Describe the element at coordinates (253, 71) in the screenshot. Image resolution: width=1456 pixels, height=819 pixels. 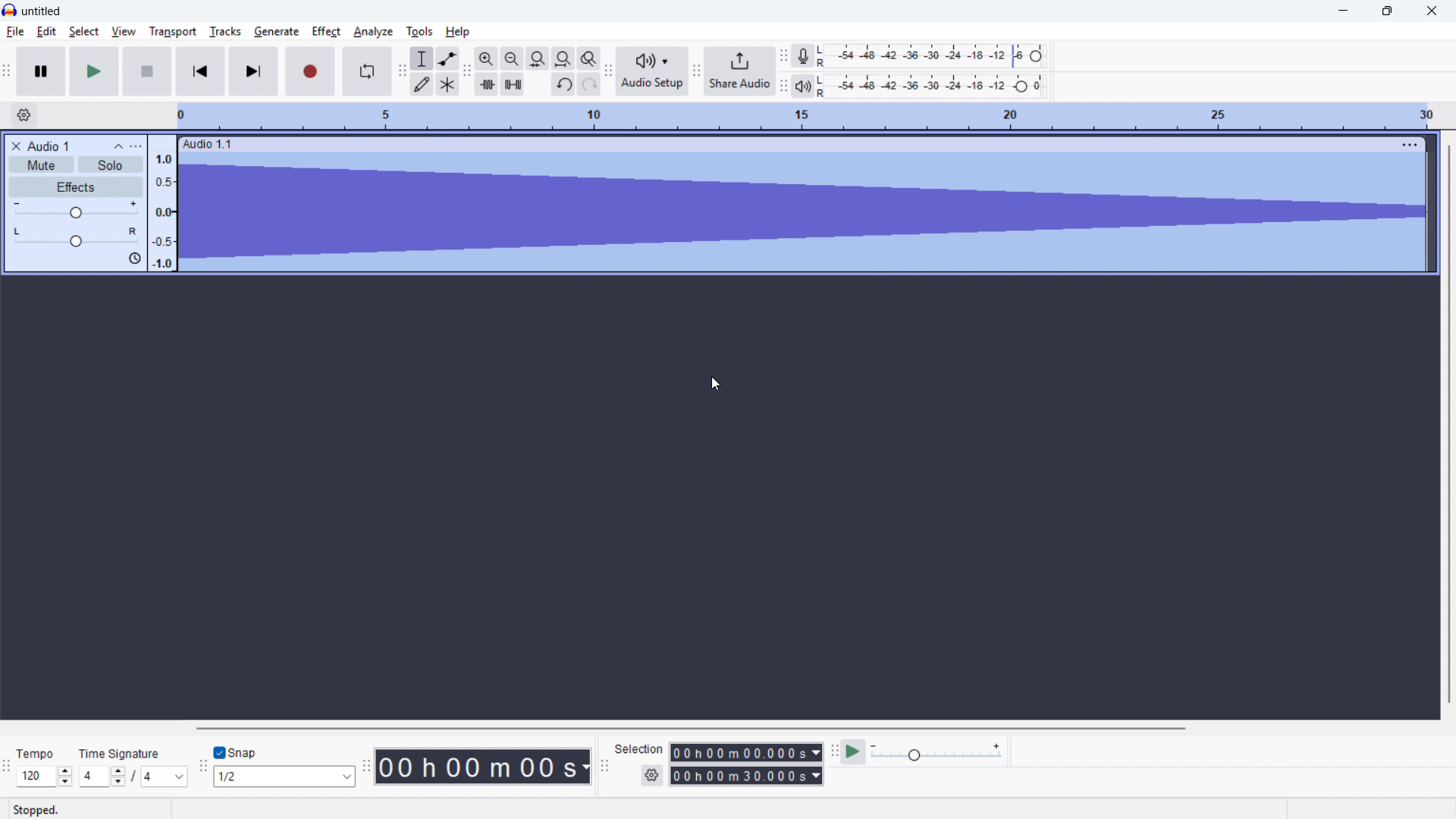
I see `Skip to end  ` at that location.